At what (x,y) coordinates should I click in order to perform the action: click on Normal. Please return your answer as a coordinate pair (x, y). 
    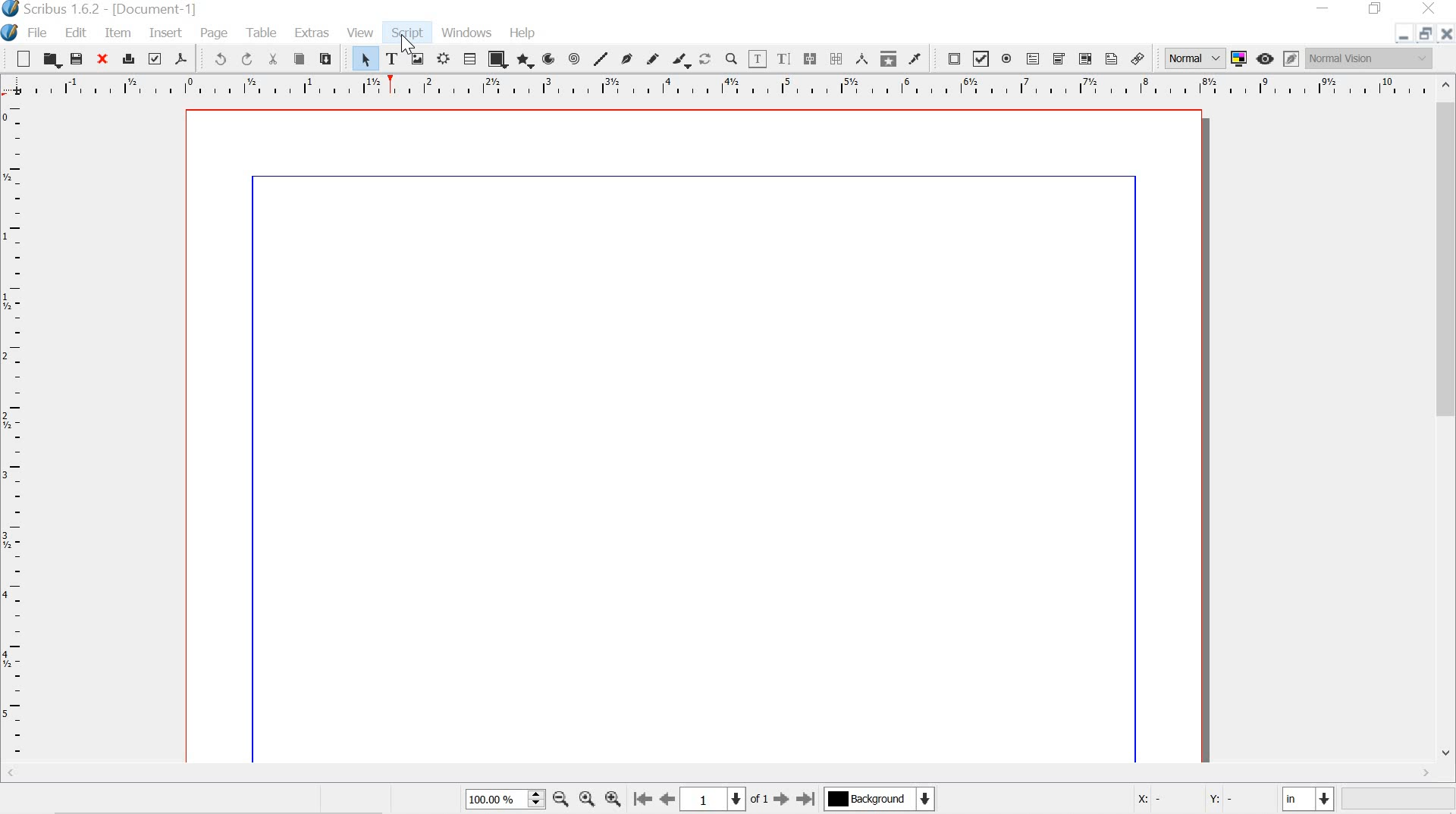
    Looking at the image, I should click on (1193, 58).